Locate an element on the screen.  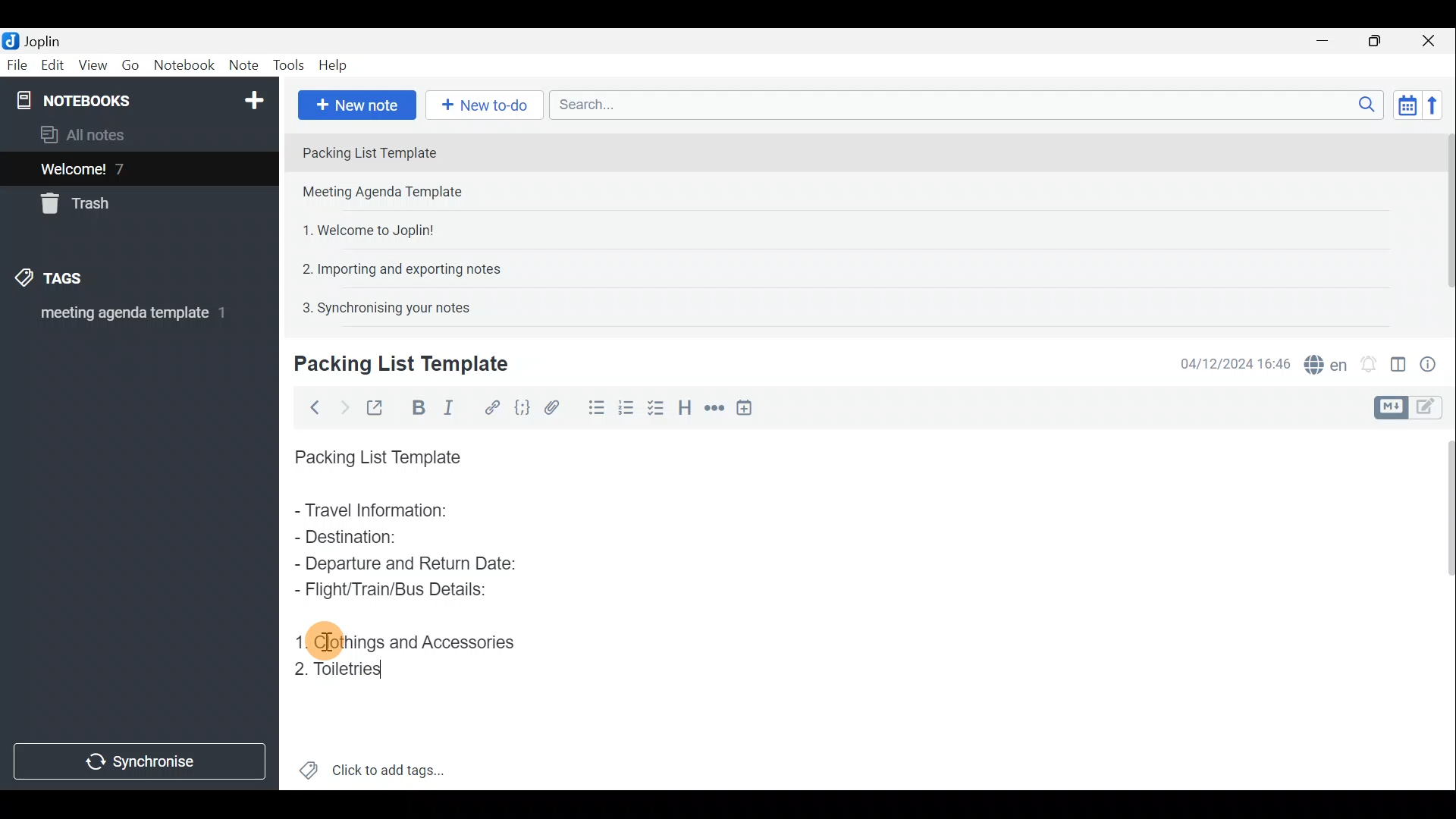
All notes is located at coordinates (88, 134).